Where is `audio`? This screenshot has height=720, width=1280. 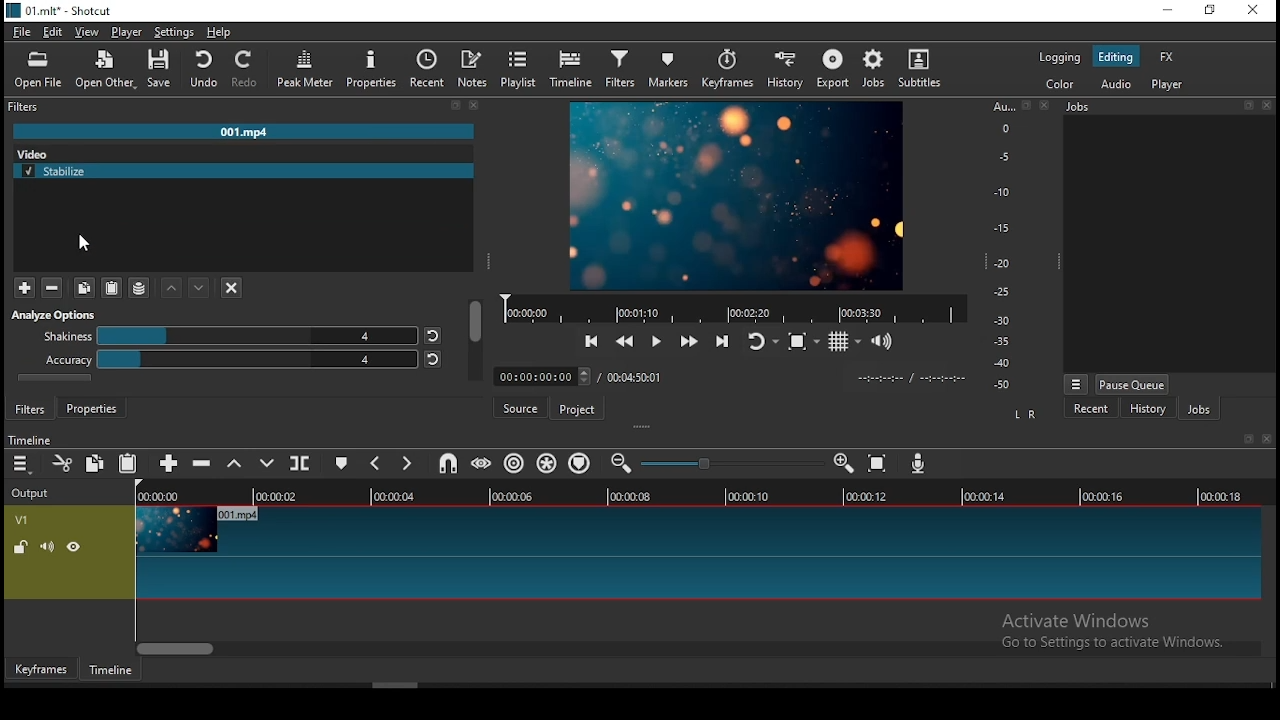
audio is located at coordinates (1120, 84).